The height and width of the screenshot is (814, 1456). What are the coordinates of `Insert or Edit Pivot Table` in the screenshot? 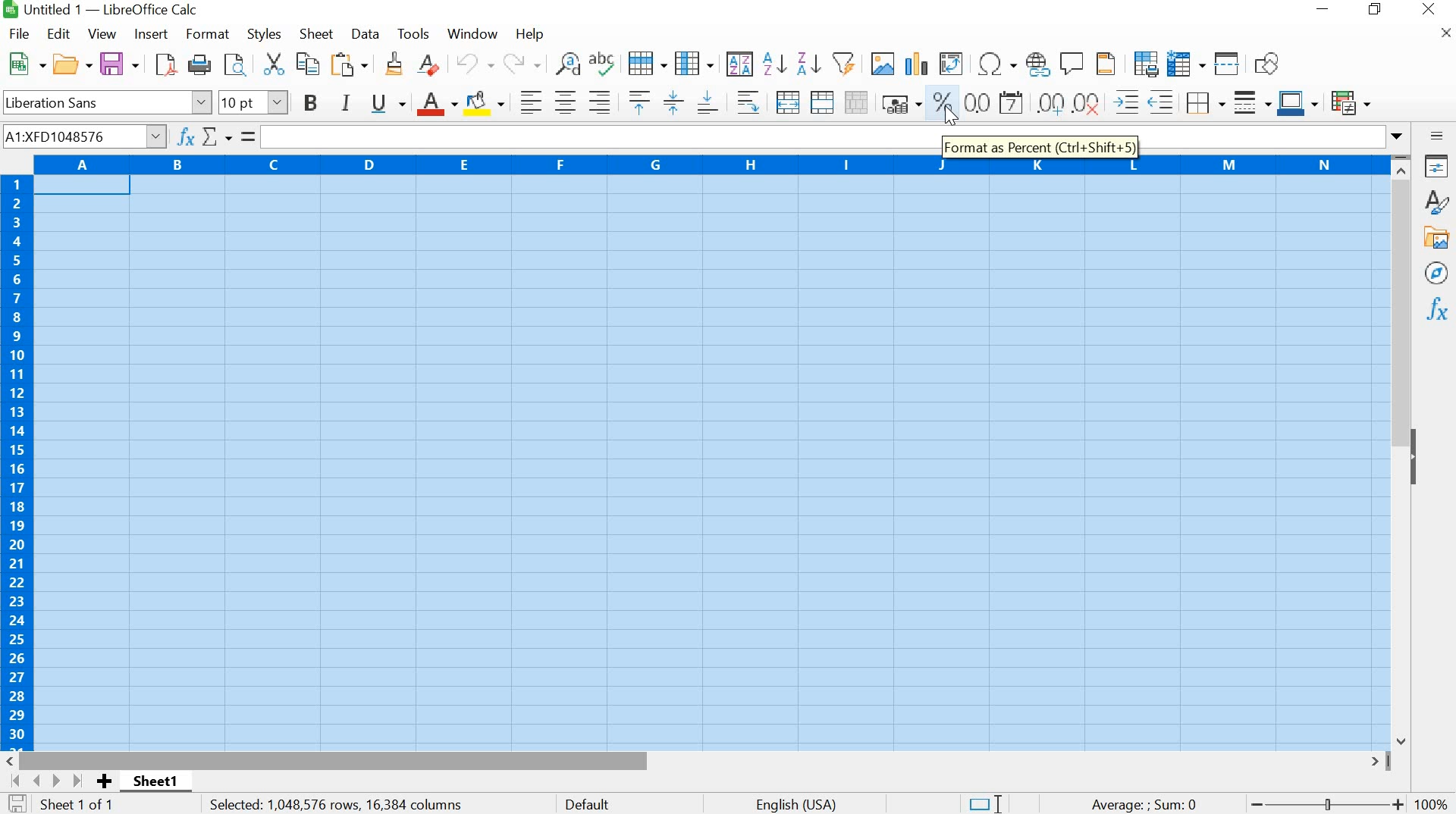 It's located at (949, 62).